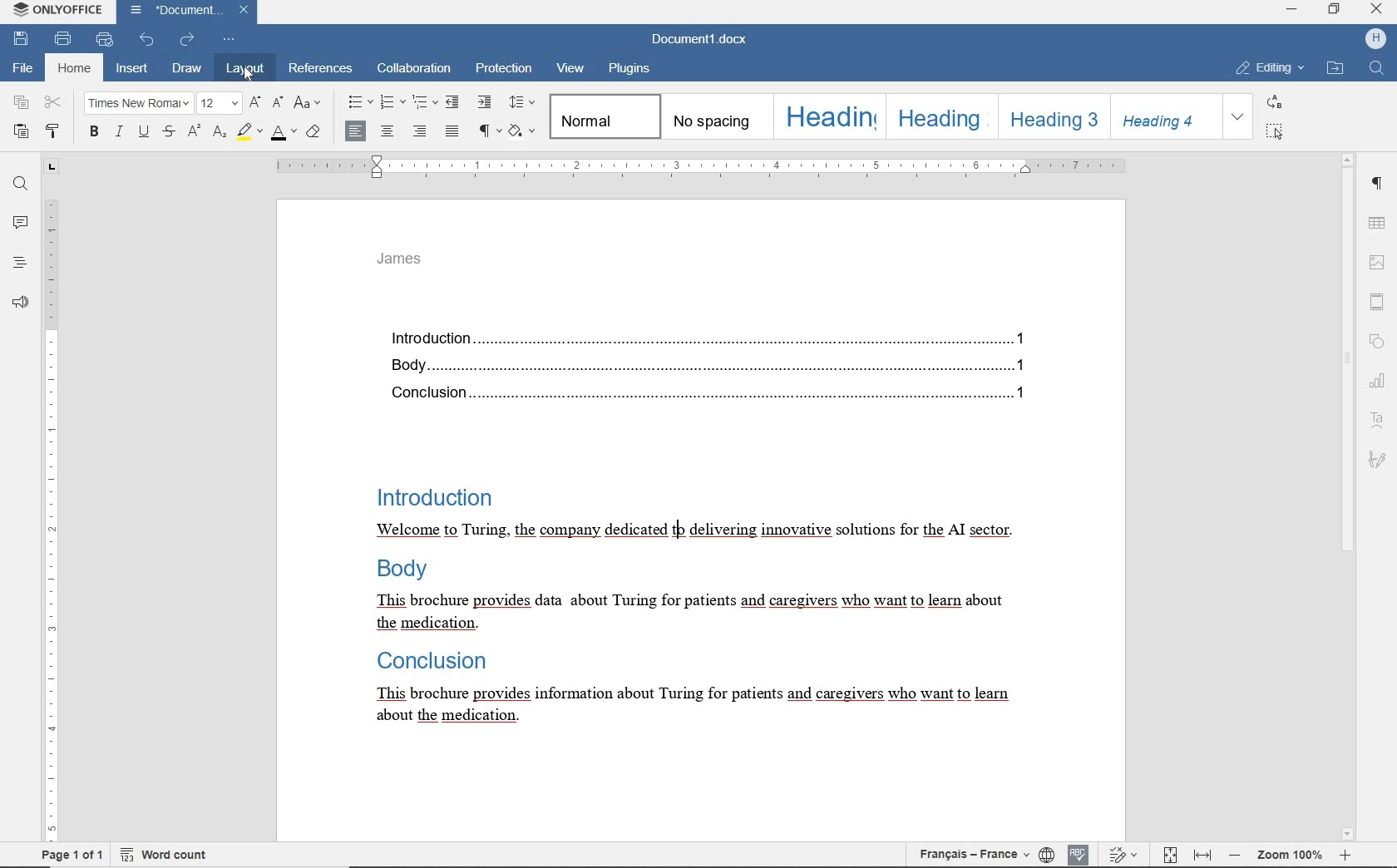 The width and height of the screenshot is (1397, 868). What do you see at coordinates (1291, 9) in the screenshot?
I see `minimize` at bounding box center [1291, 9].